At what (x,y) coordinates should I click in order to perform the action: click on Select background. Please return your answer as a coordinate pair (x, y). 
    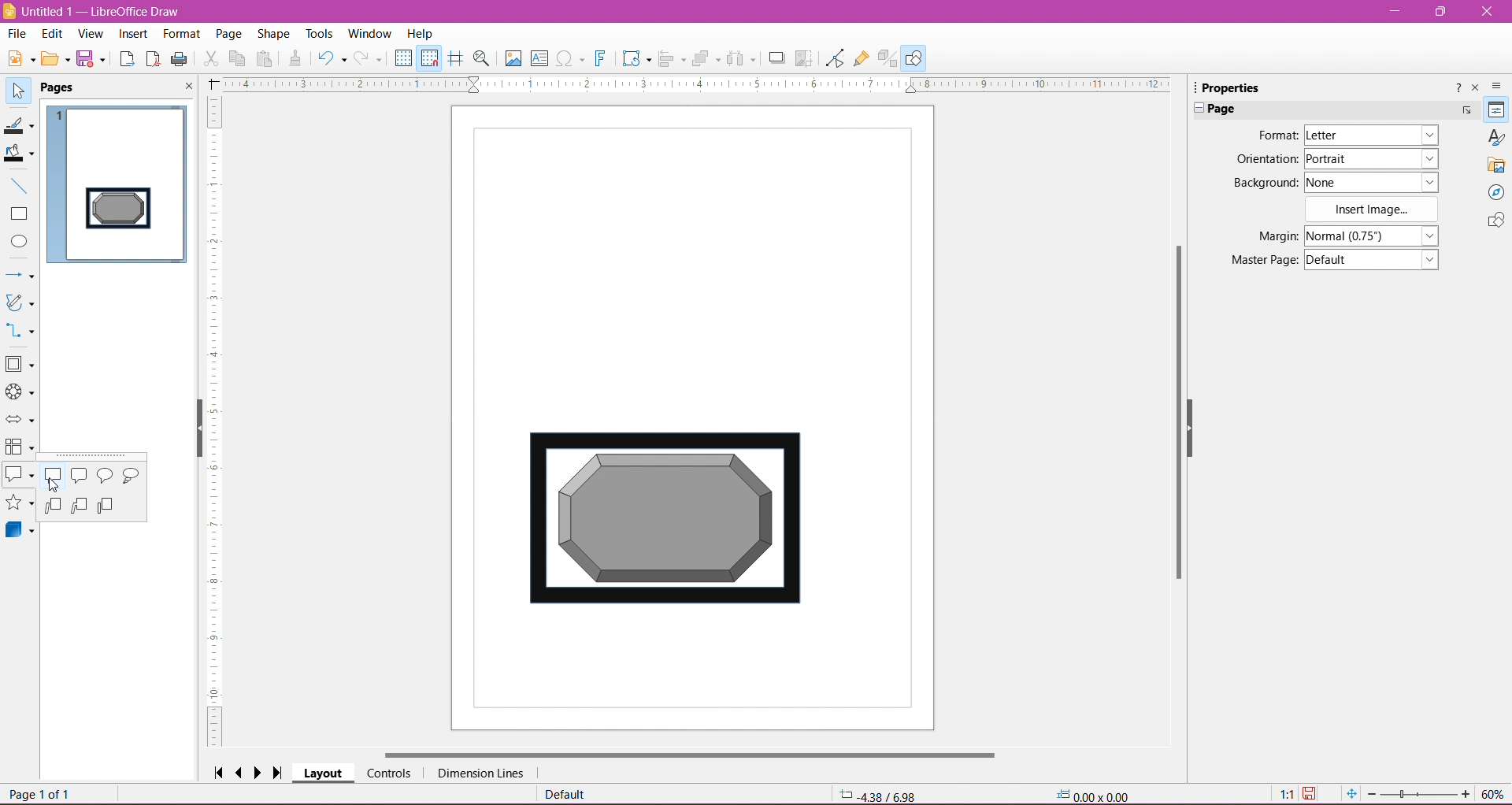
    Looking at the image, I should click on (1380, 182).